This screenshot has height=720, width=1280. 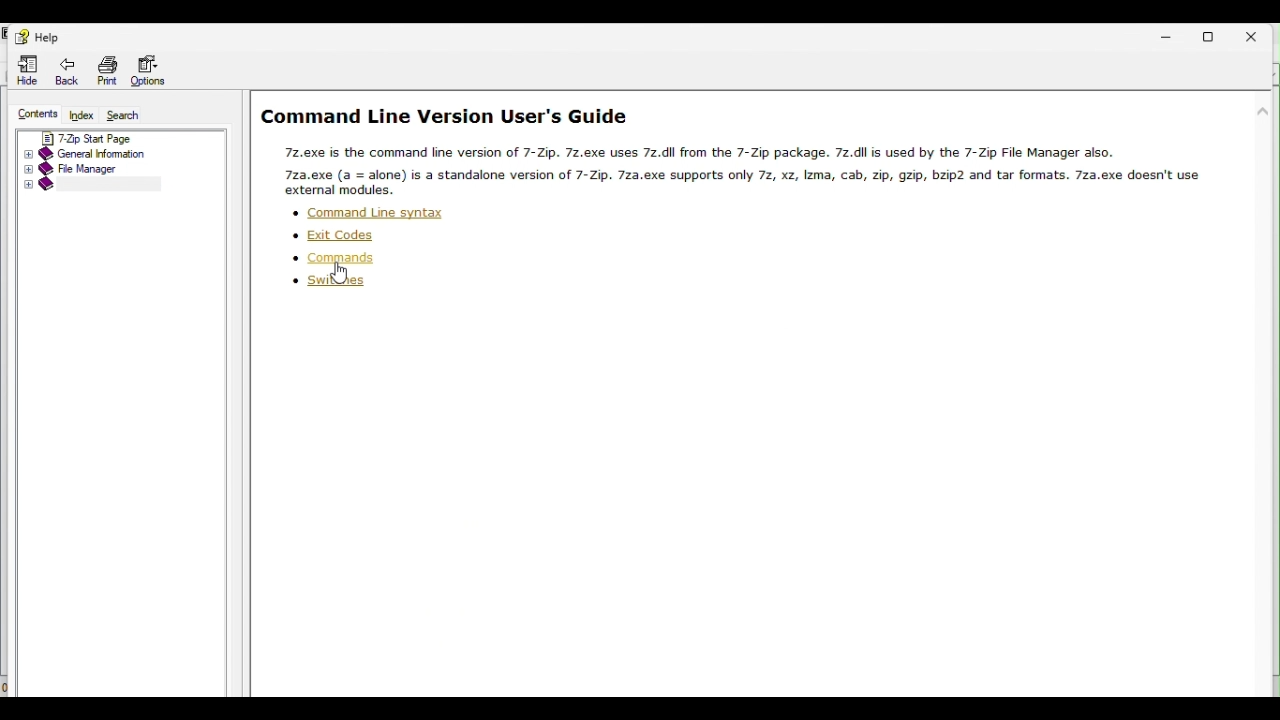 What do you see at coordinates (82, 115) in the screenshot?
I see `Index` at bounding box center [82, 115].